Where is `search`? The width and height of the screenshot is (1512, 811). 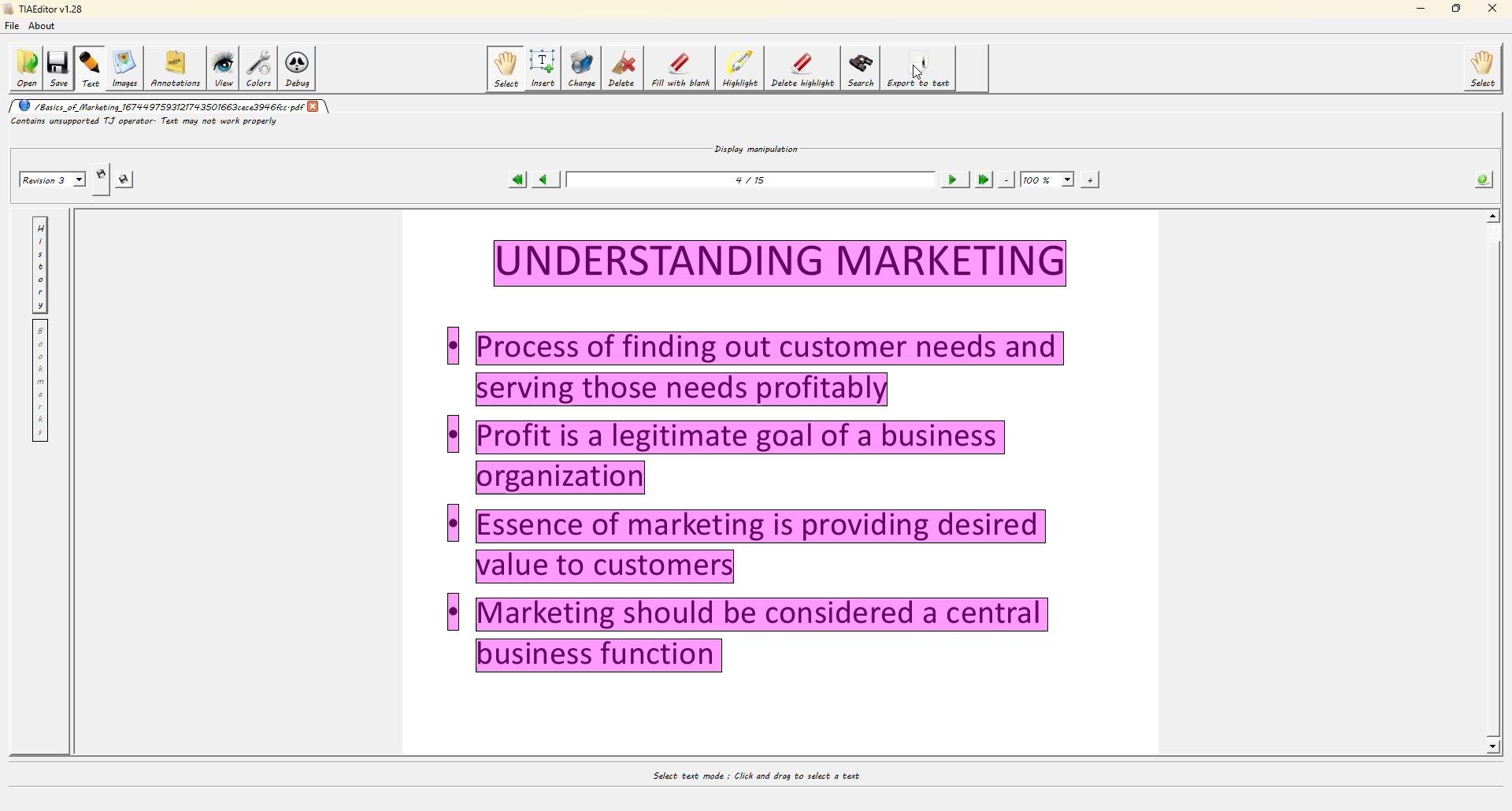 search is located at coordinates (862, 67).